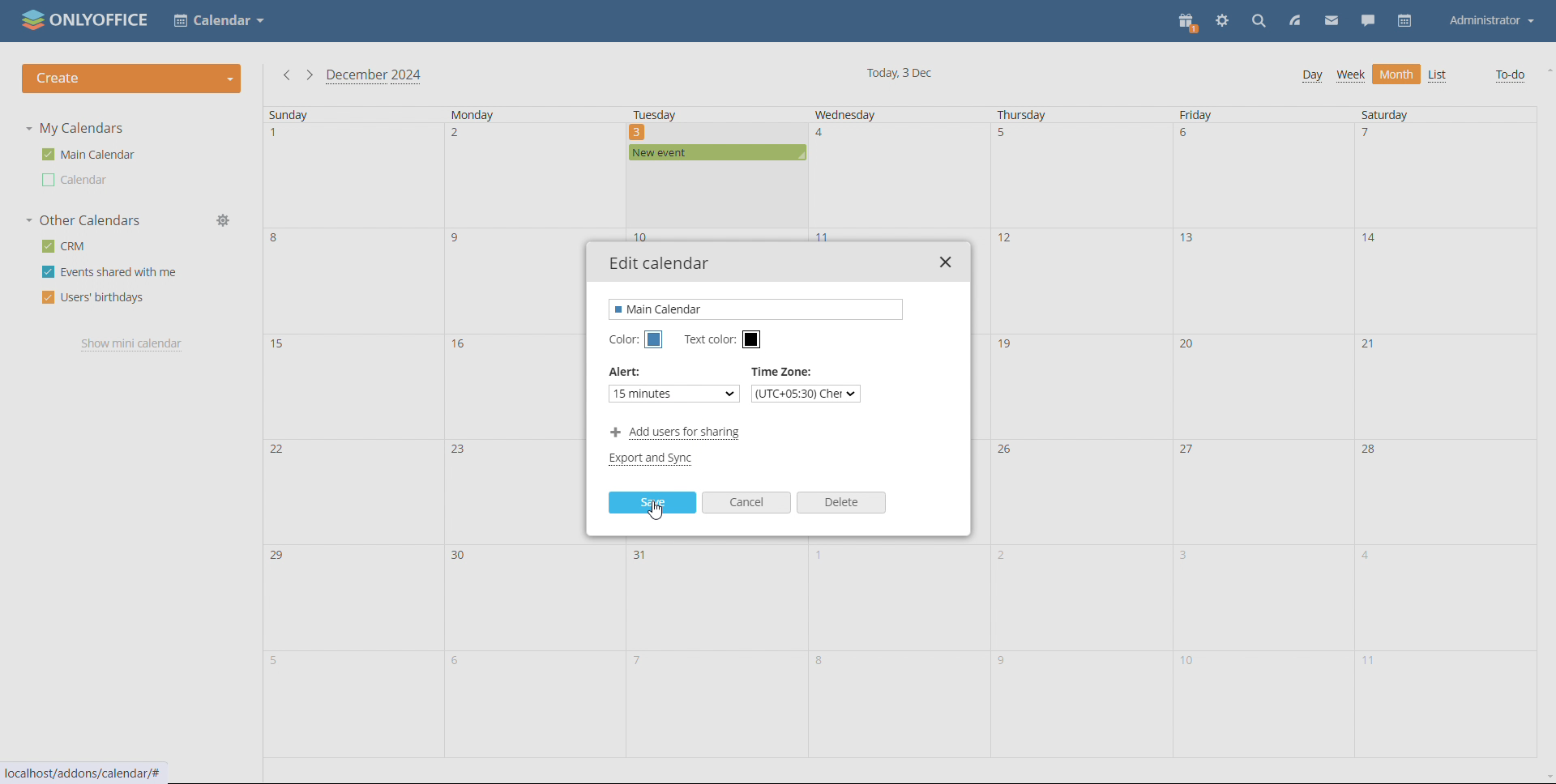 This screenshot has height=784, width=1556. Describe the element at coordinates (1404, 21) in the screenshot. I see `calendar` at that location.